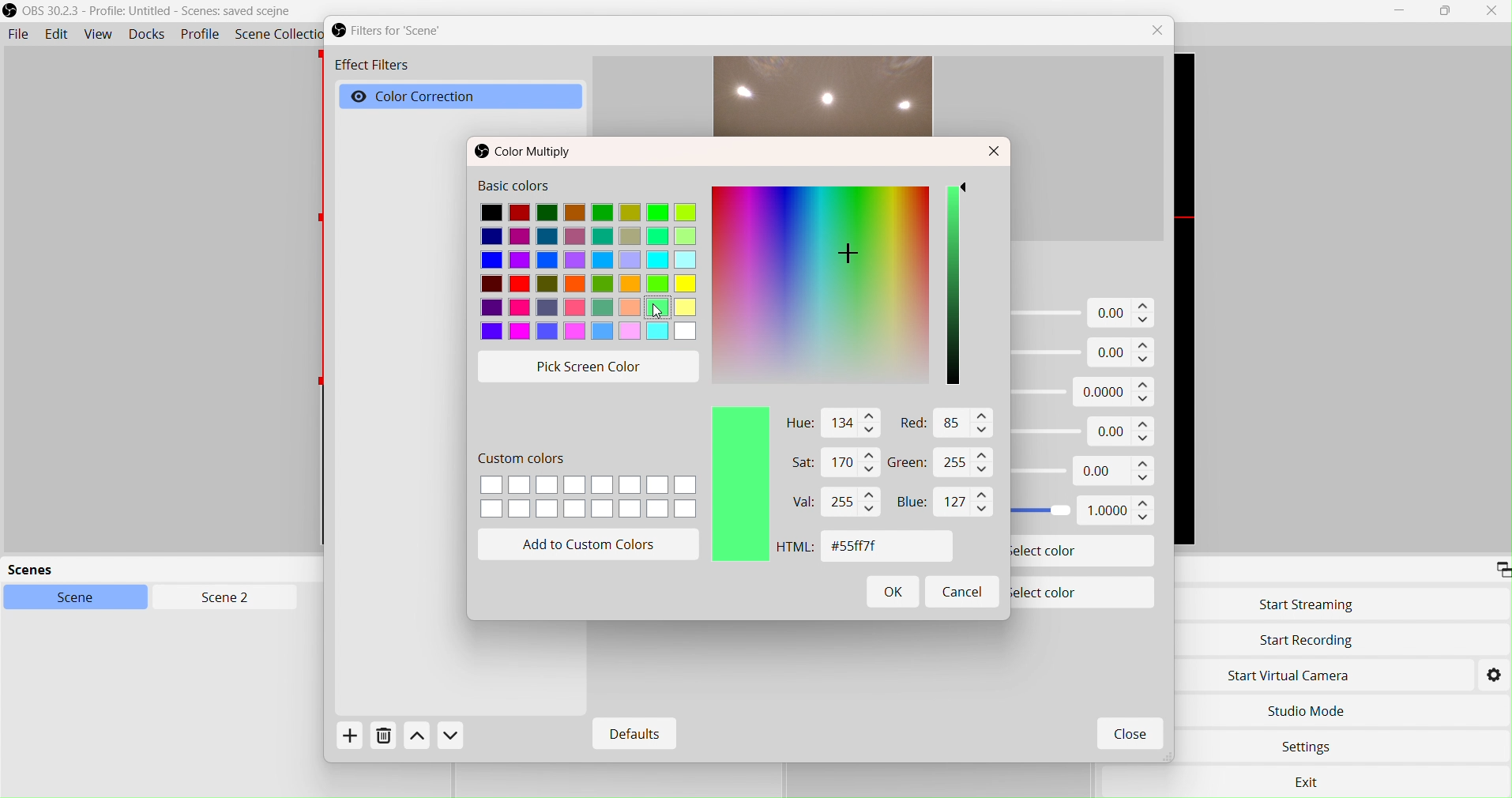 Image resolution: width=1512 pixels, height=798 pixels. I want to click on color picker, so click(822, 288).